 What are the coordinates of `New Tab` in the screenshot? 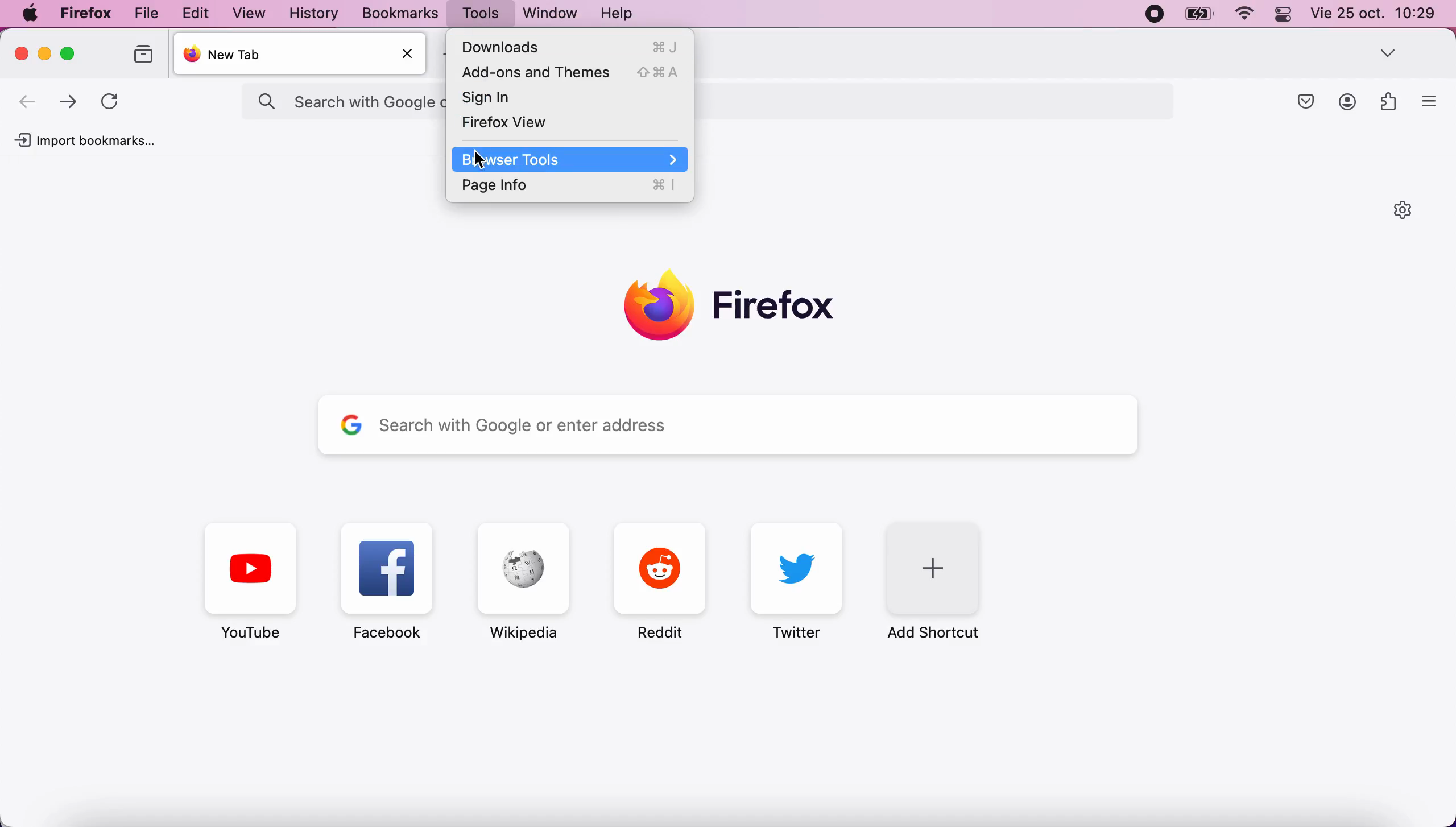 It's located at (303, 53).